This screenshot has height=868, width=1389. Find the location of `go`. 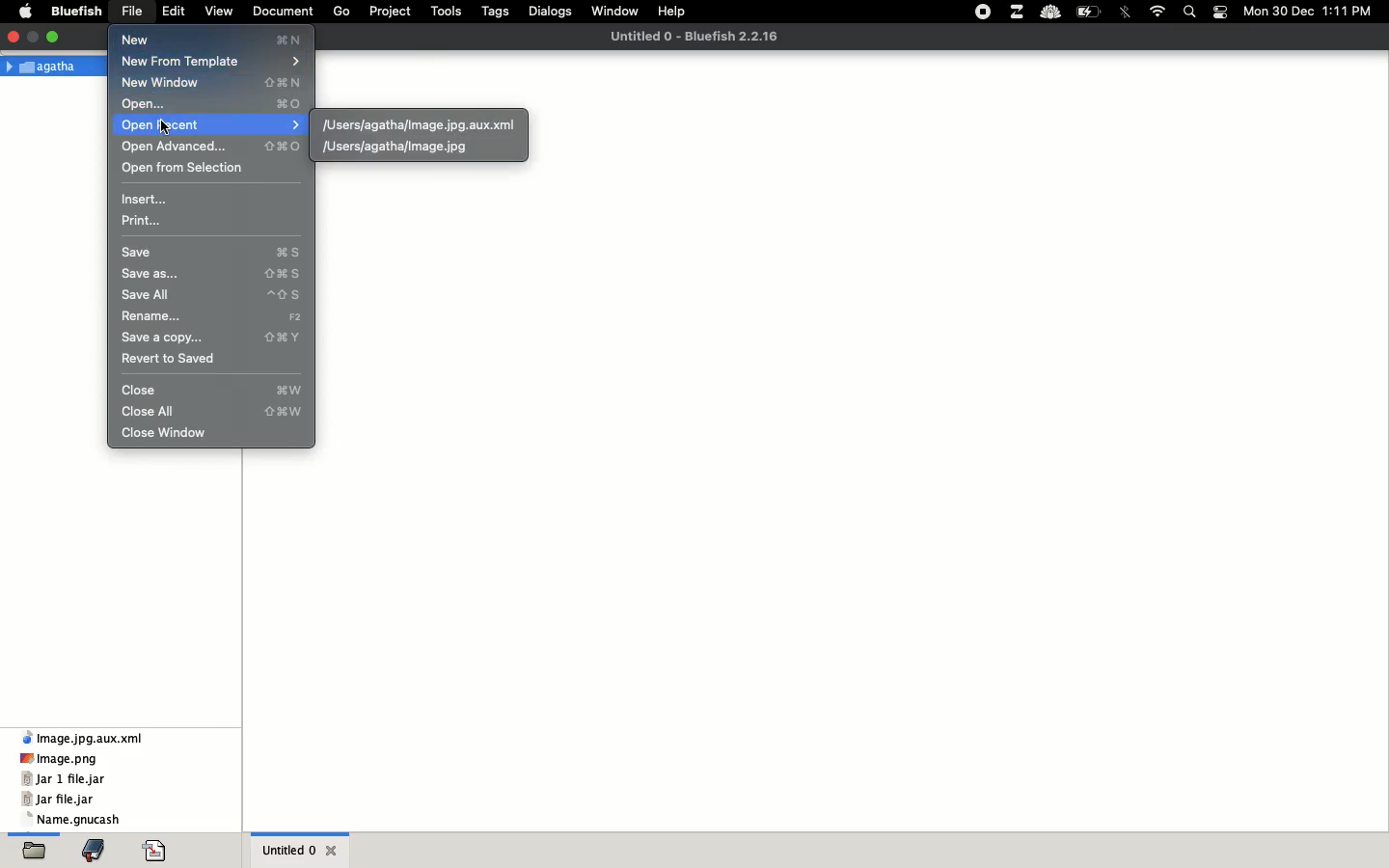

go is located at coordinates (344, 10).